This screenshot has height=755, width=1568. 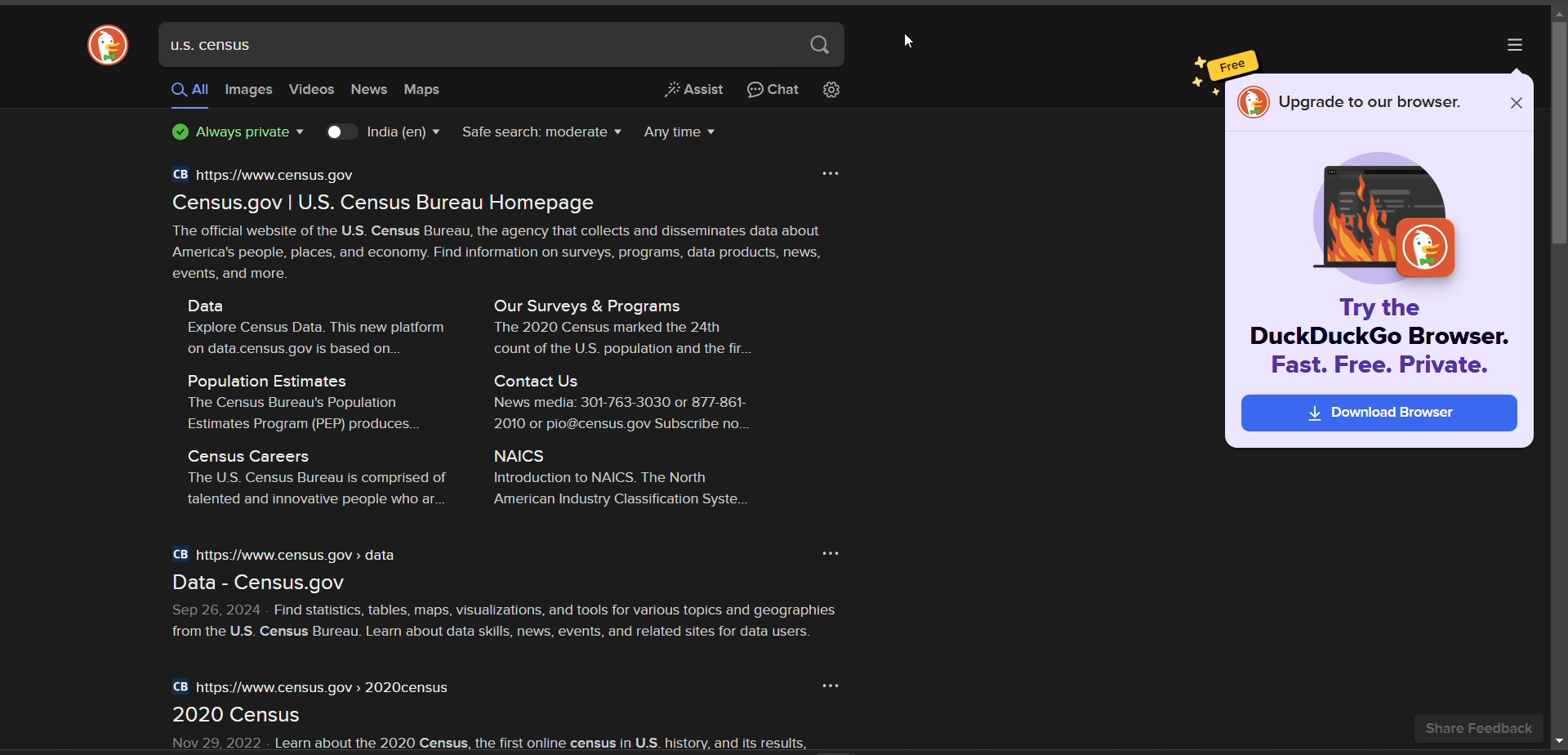 I want to click on Assist , so click(x=689, y=90).